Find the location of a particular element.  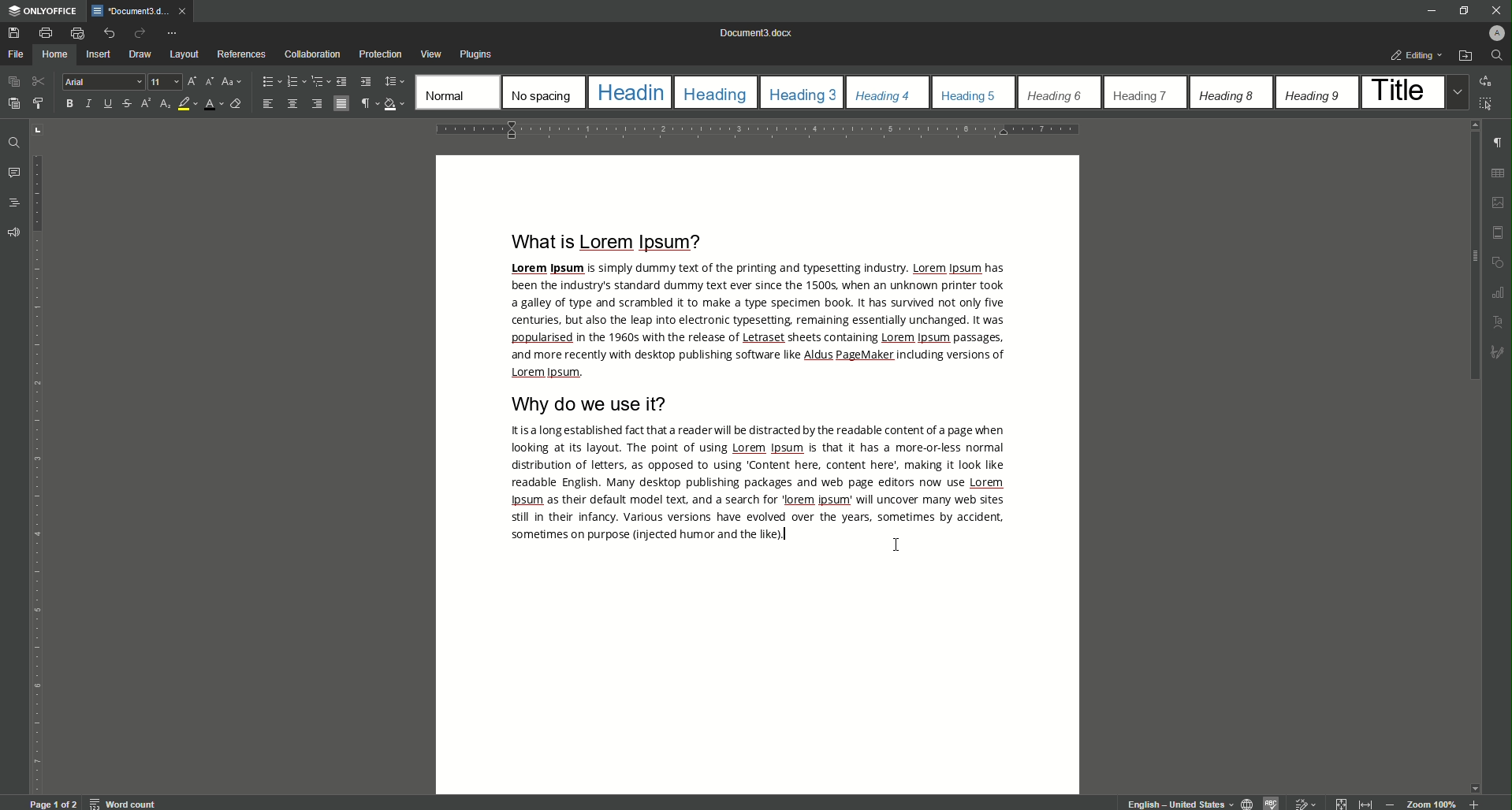

Why DO We Use It? is located at coordinates (595, 408).